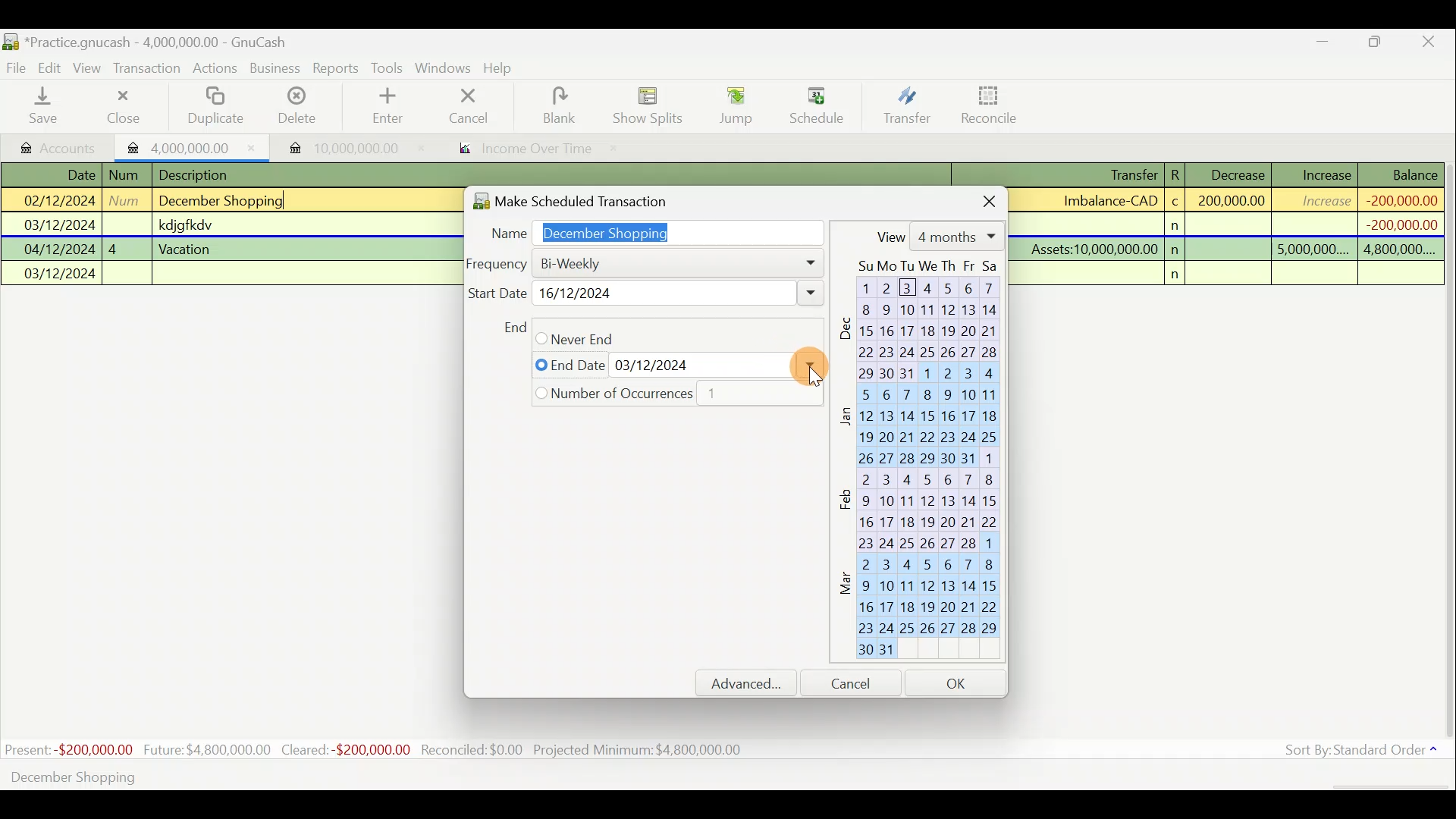 The height and width of the screenshot is (819, 1456). I want to click on Enter, so click(386, 106).